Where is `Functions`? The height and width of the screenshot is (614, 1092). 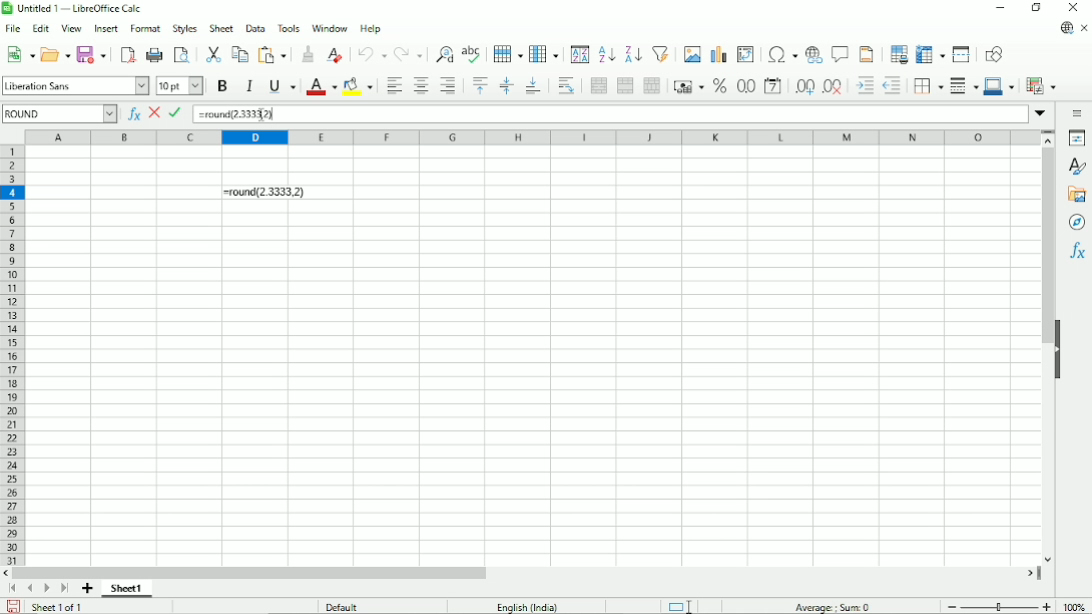 Functions is located at coordinates (1077, 251).